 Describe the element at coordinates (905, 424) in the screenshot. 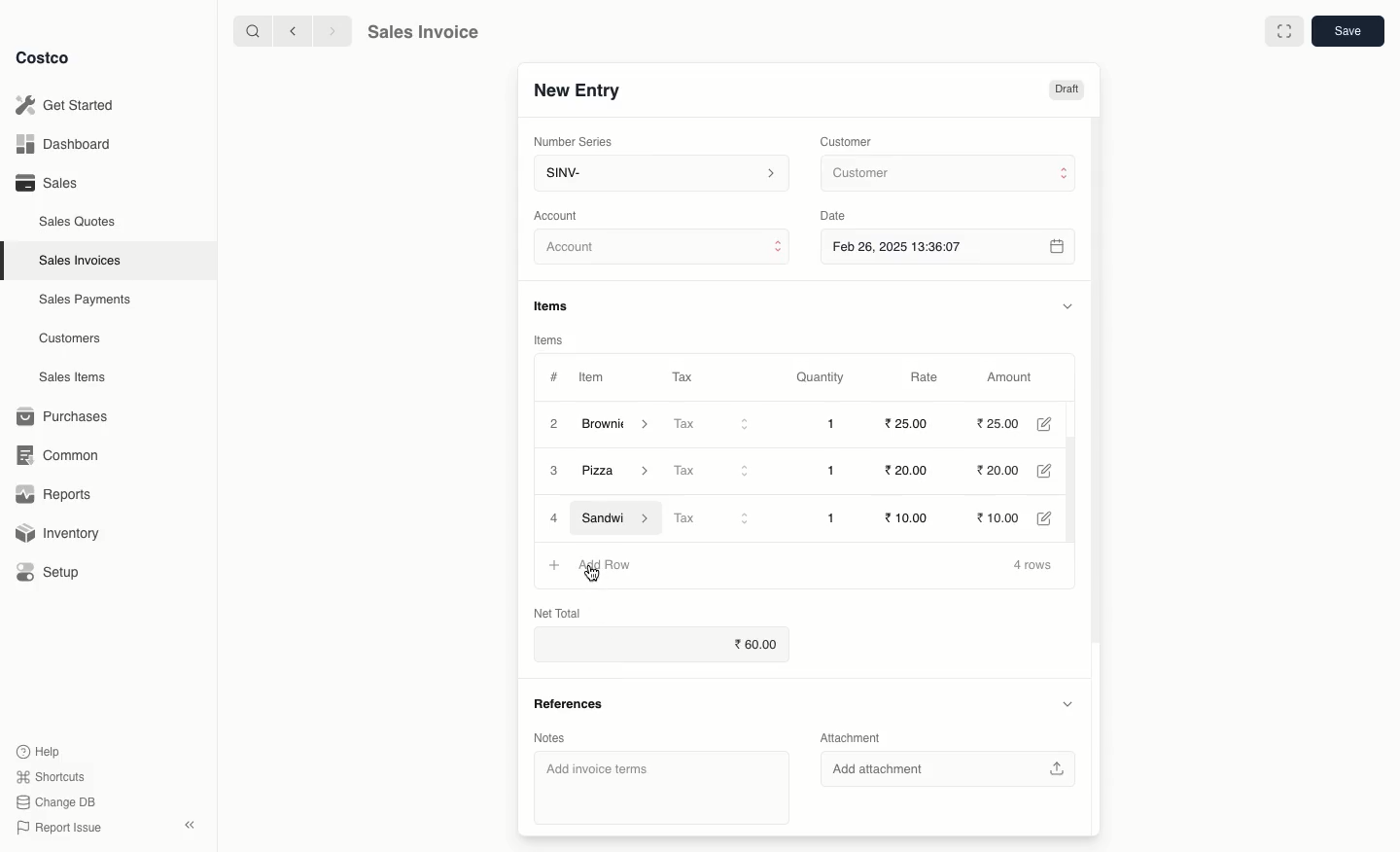

I see `25.00` at that location.